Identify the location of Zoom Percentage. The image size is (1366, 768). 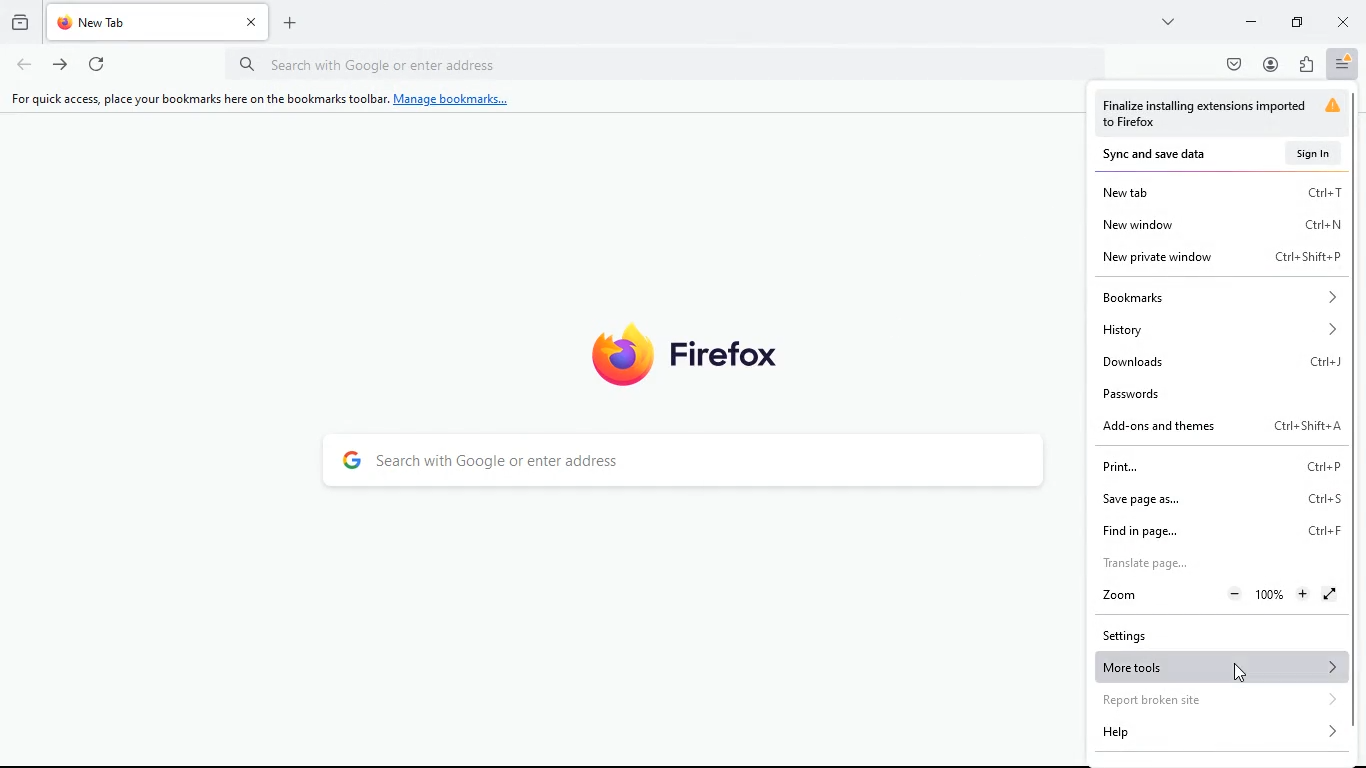
(1270, 594).